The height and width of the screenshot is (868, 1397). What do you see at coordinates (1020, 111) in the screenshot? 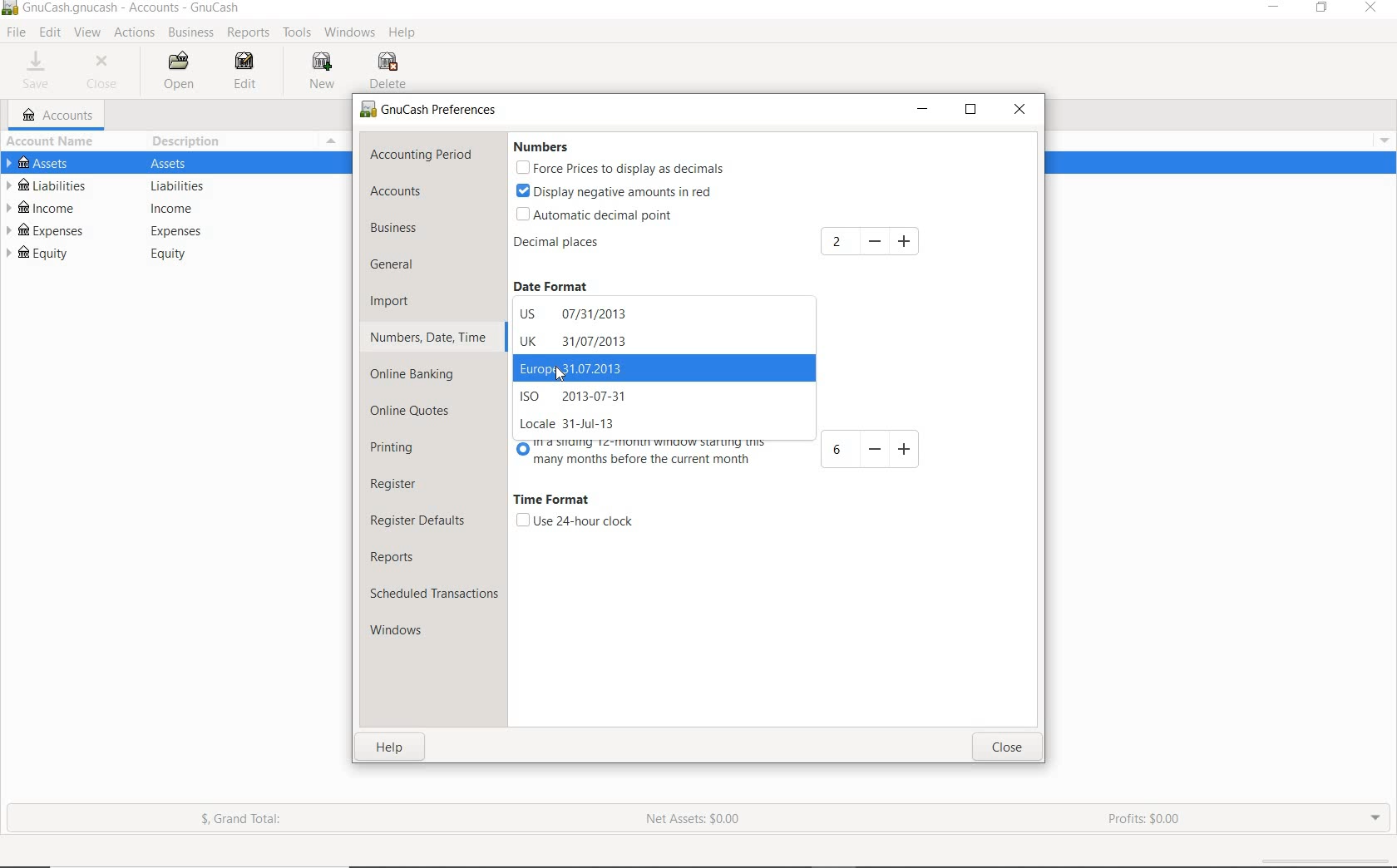
I see `close` at bounding box center [1020, 111].